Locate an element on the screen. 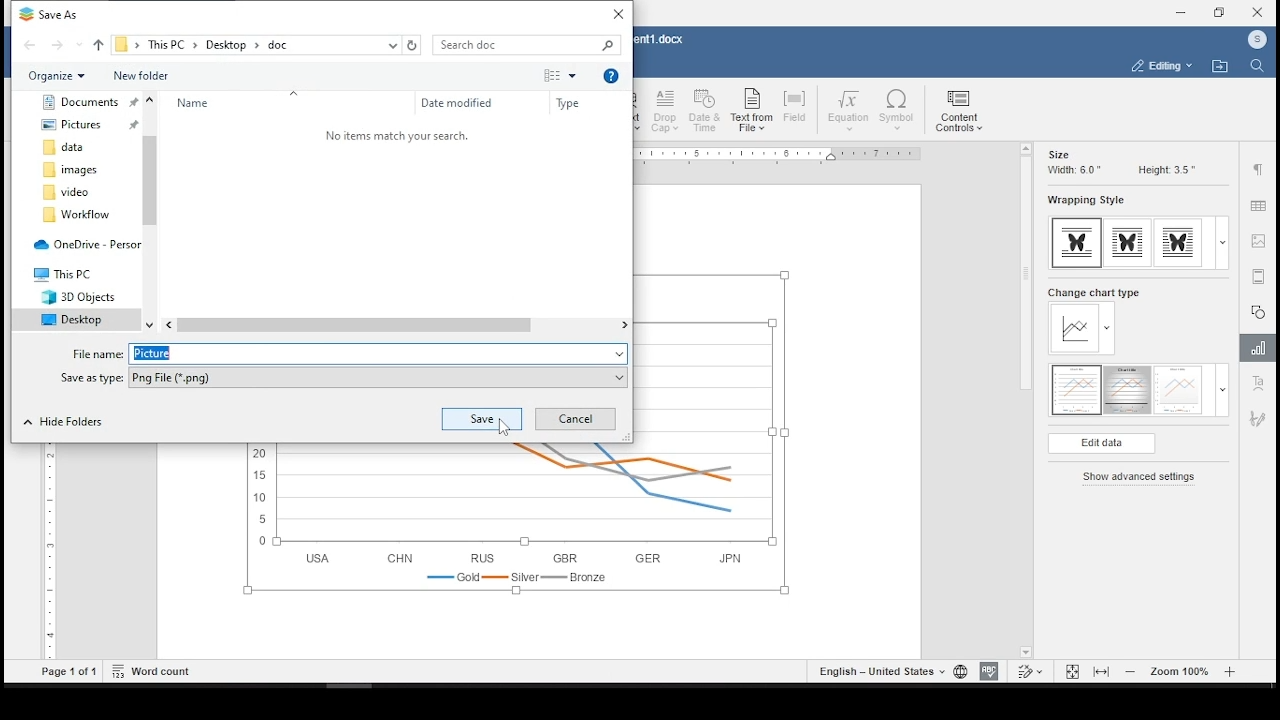 The image size is (1280, 720). Document3.docx is located at coordinates (662, 40).